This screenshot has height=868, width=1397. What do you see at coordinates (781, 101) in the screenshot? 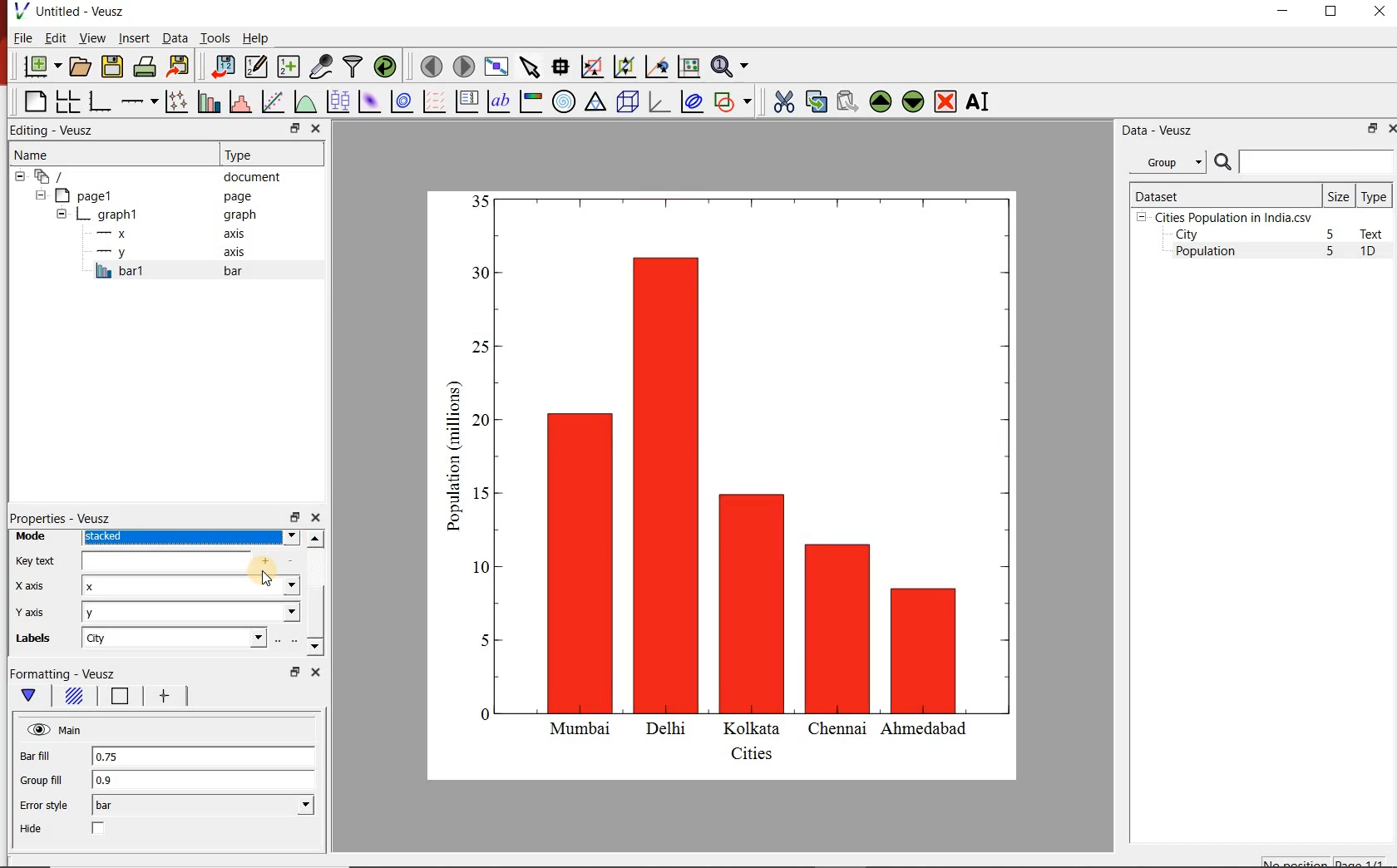
I see `cut the selected widget` at bounding box center [781, 101].